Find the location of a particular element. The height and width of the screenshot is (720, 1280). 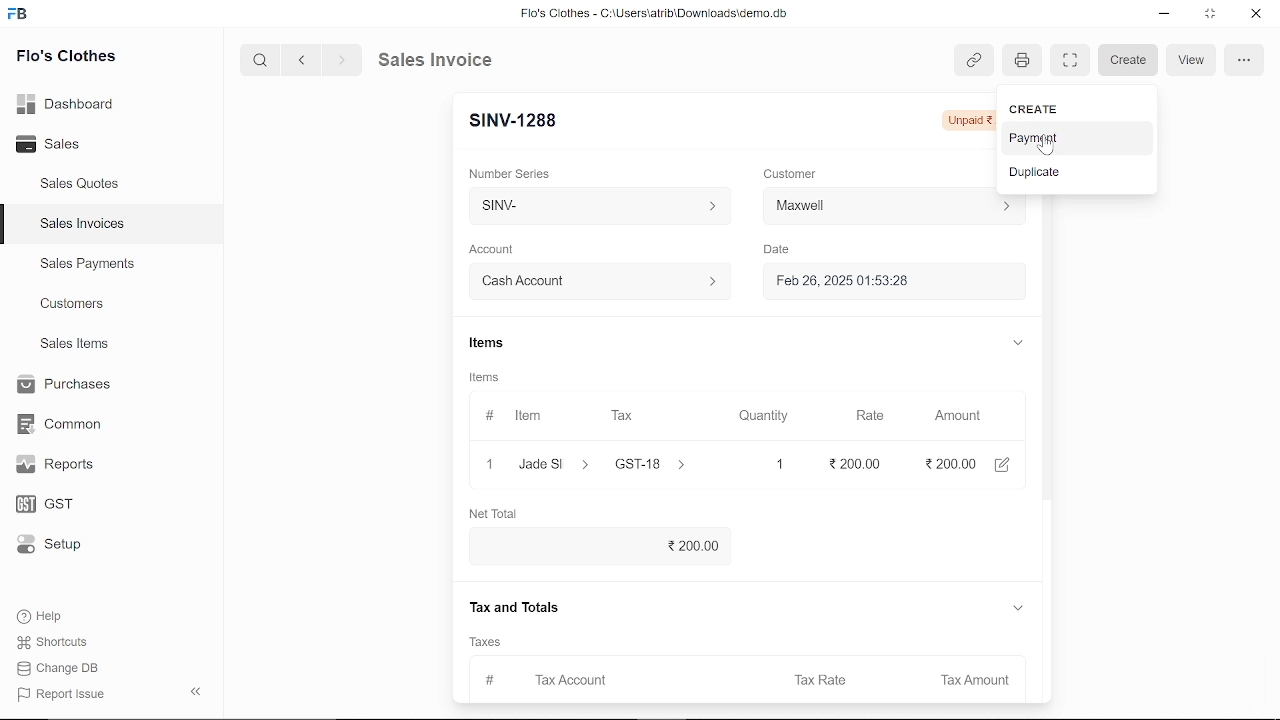

Items is located at coordinates (485, 345).